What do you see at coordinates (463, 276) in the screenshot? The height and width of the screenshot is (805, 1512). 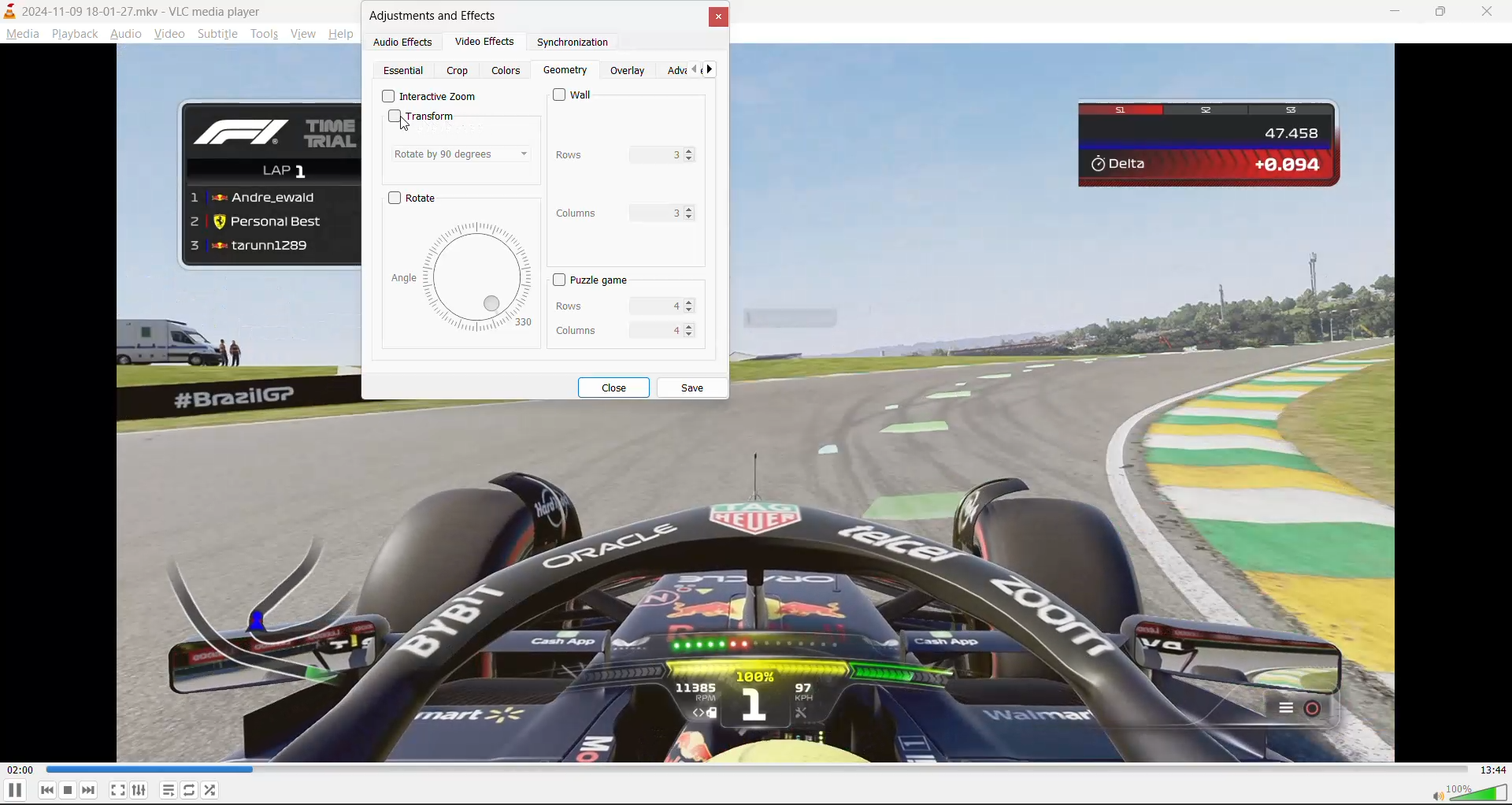 I see `rotation dial` at bounding box center [463, 276].